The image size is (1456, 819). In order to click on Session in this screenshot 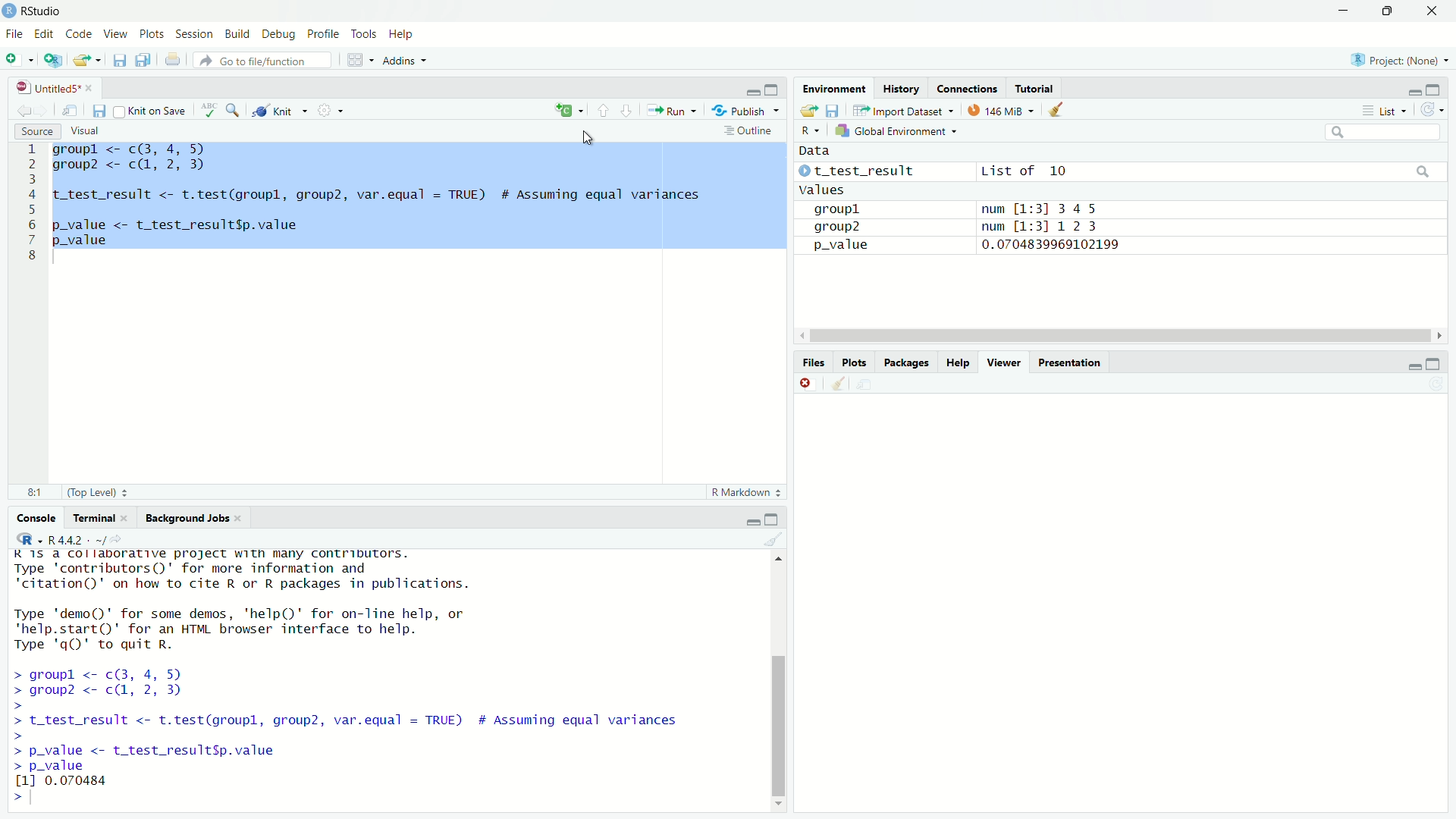, I will do `click(196, 32)`.